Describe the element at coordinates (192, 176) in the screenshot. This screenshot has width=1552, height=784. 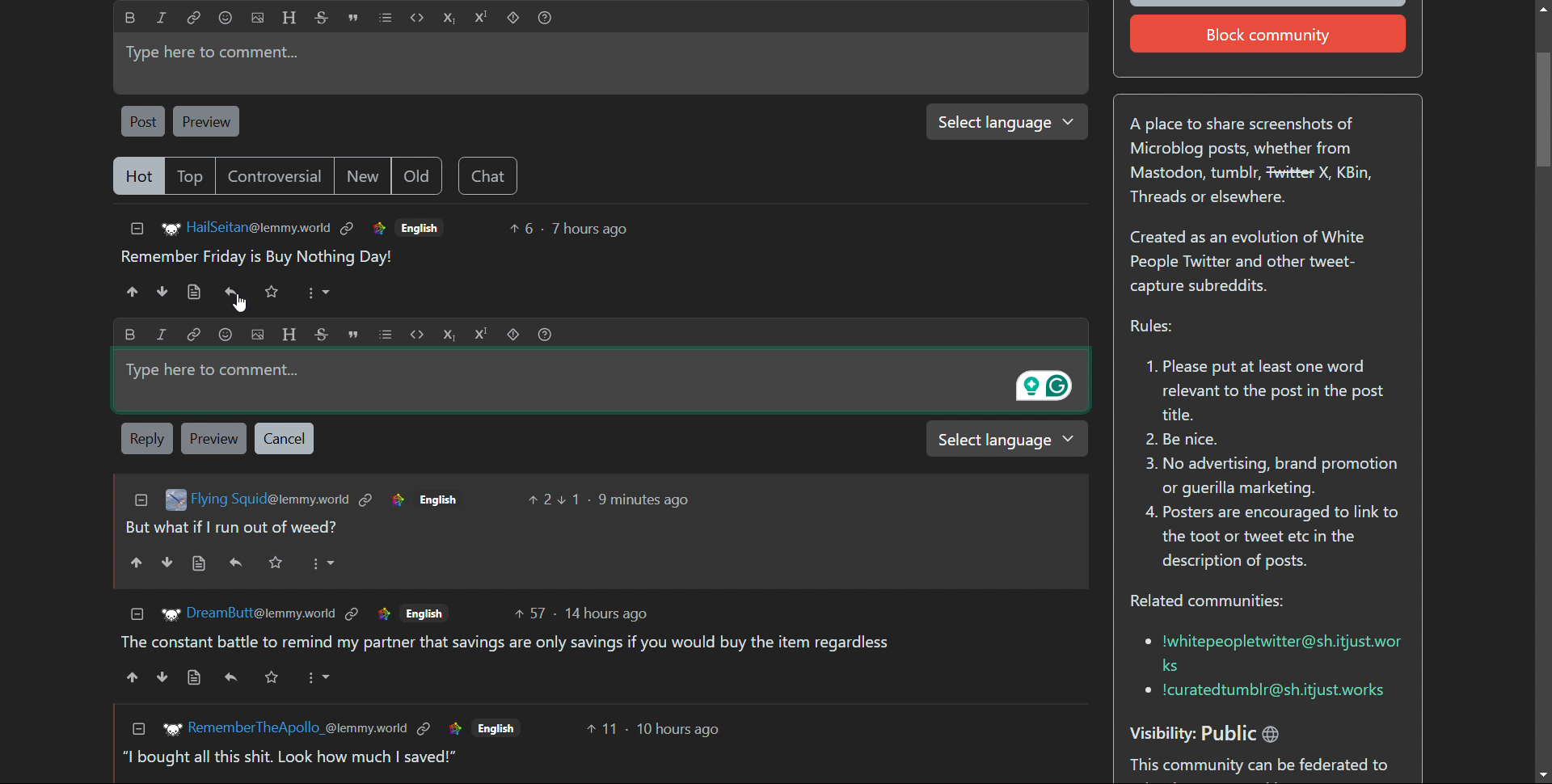
I see `top` at that location.